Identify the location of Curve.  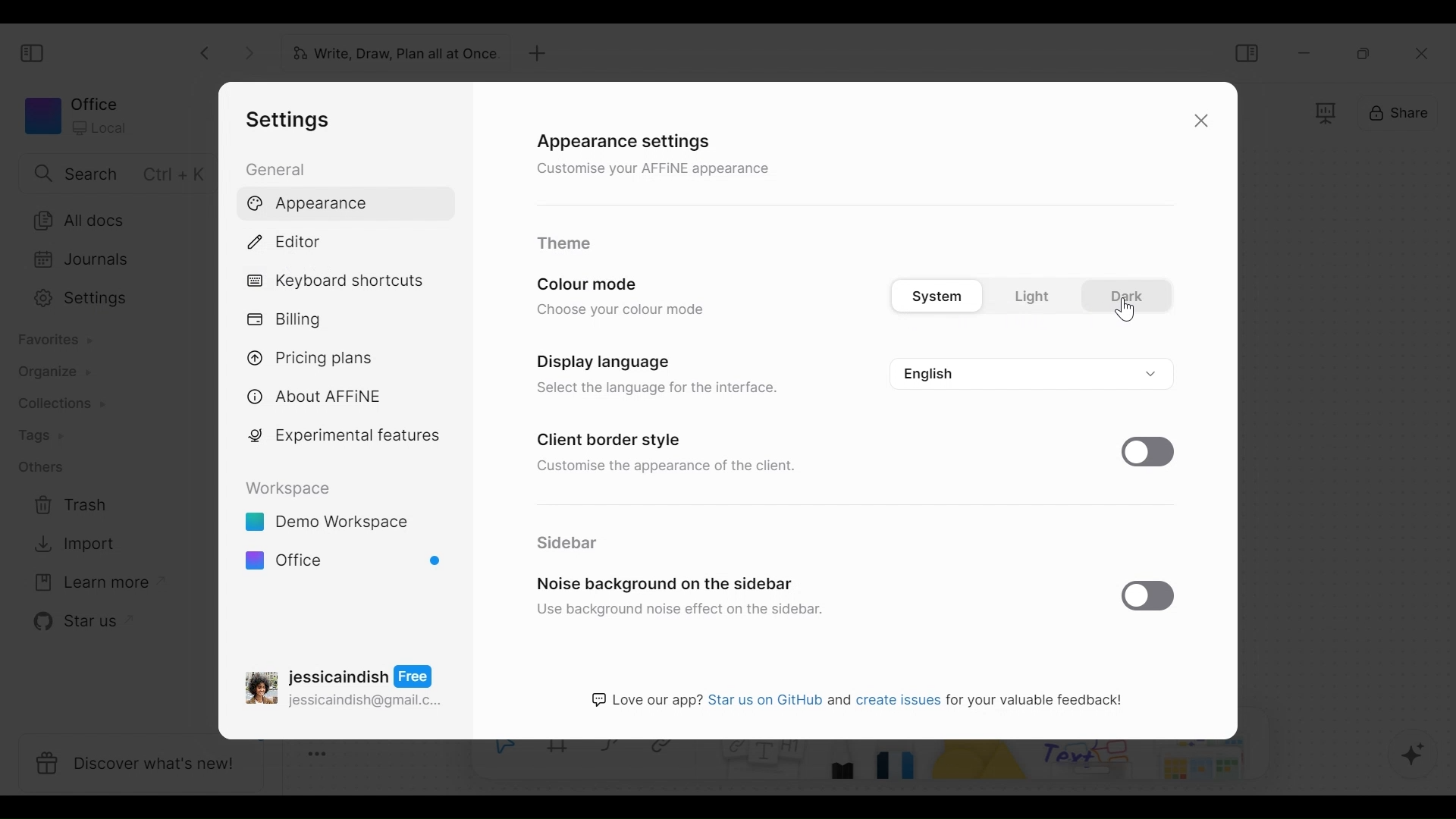
(612, 748).